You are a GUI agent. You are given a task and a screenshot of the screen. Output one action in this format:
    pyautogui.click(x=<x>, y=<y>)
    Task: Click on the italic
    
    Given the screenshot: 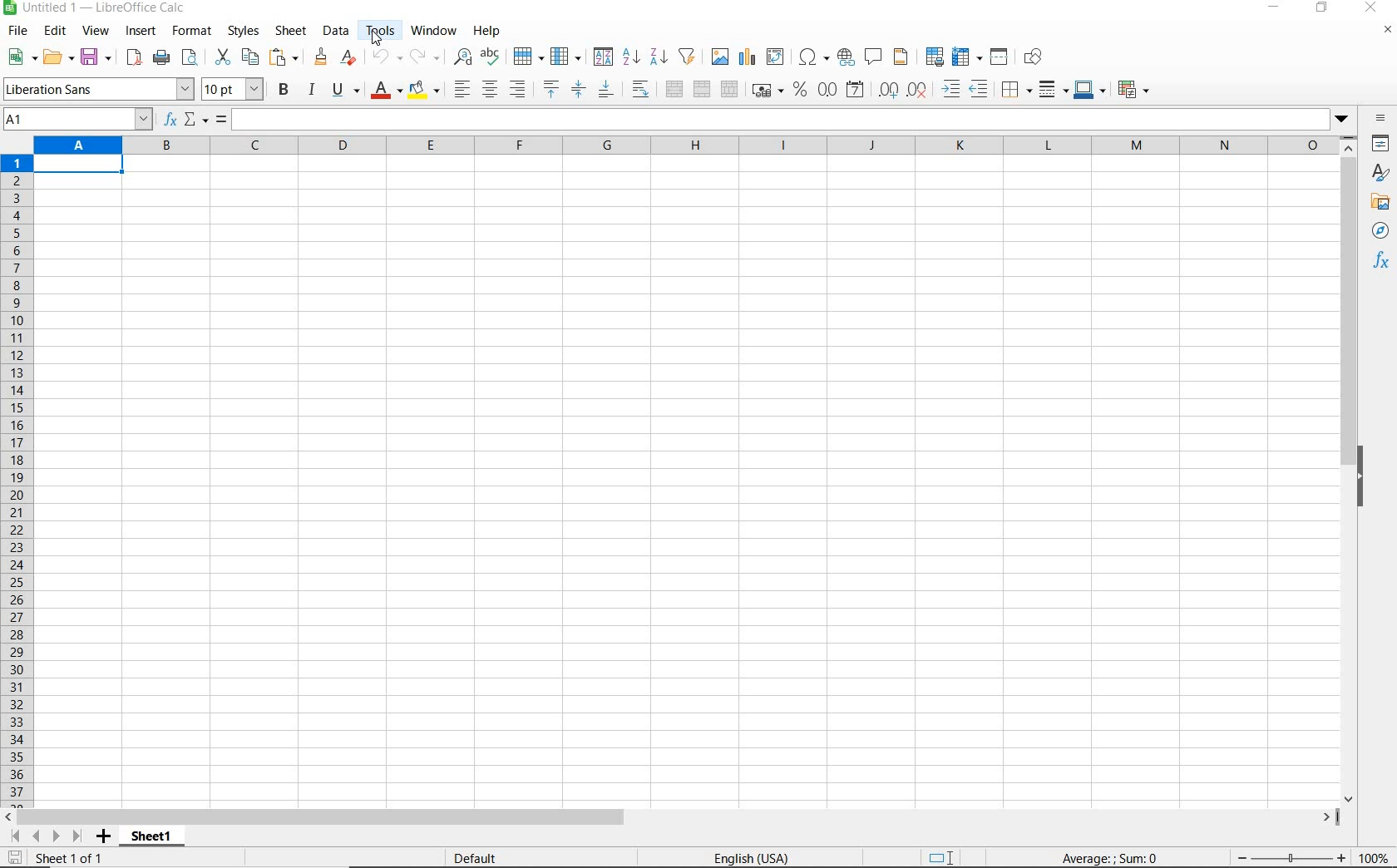 What is the action you would take?
    pyautogui.click(x=311, y=91)
    